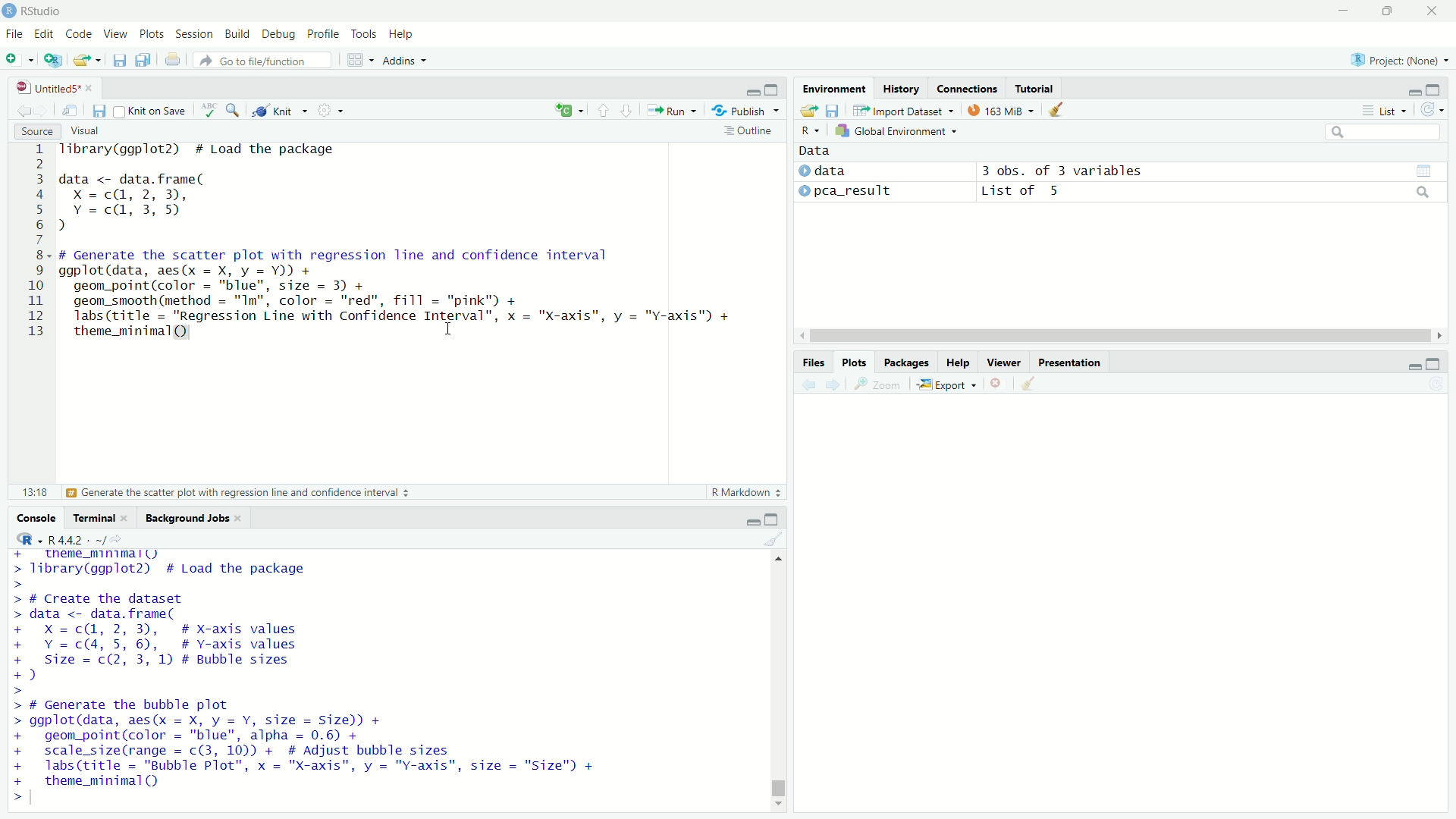 The height and width of the screenshot is (819, 1456). What do you see at coordinates (35, 492) in the screenshot?
I see `13:18` at bounding box center [35, 492].